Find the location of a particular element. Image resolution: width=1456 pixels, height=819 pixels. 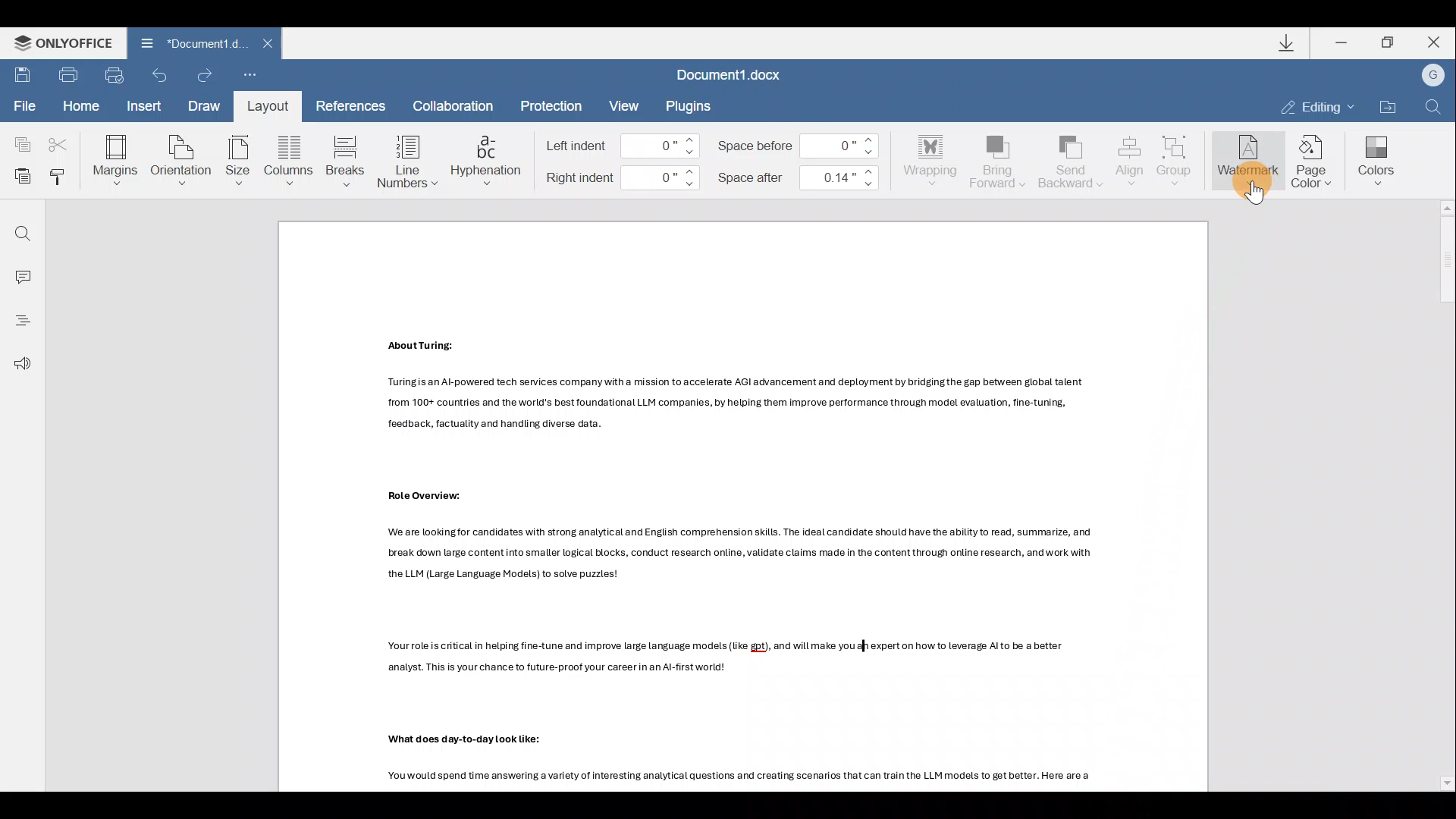

Margins is located at coordinates (118, 157).